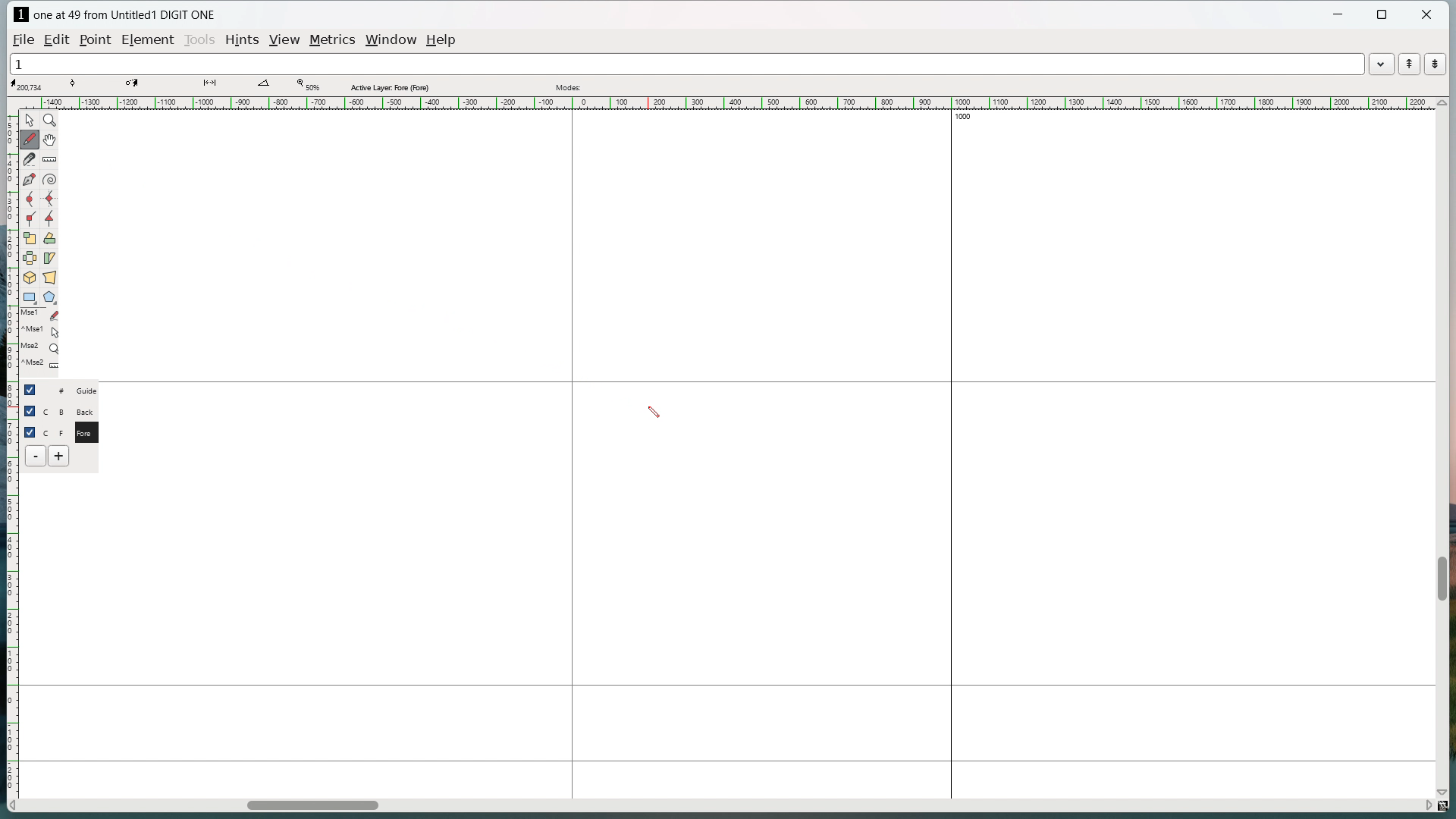 This screenshot has width=1456, height=819. I want to click on logo, so click(20, 14).